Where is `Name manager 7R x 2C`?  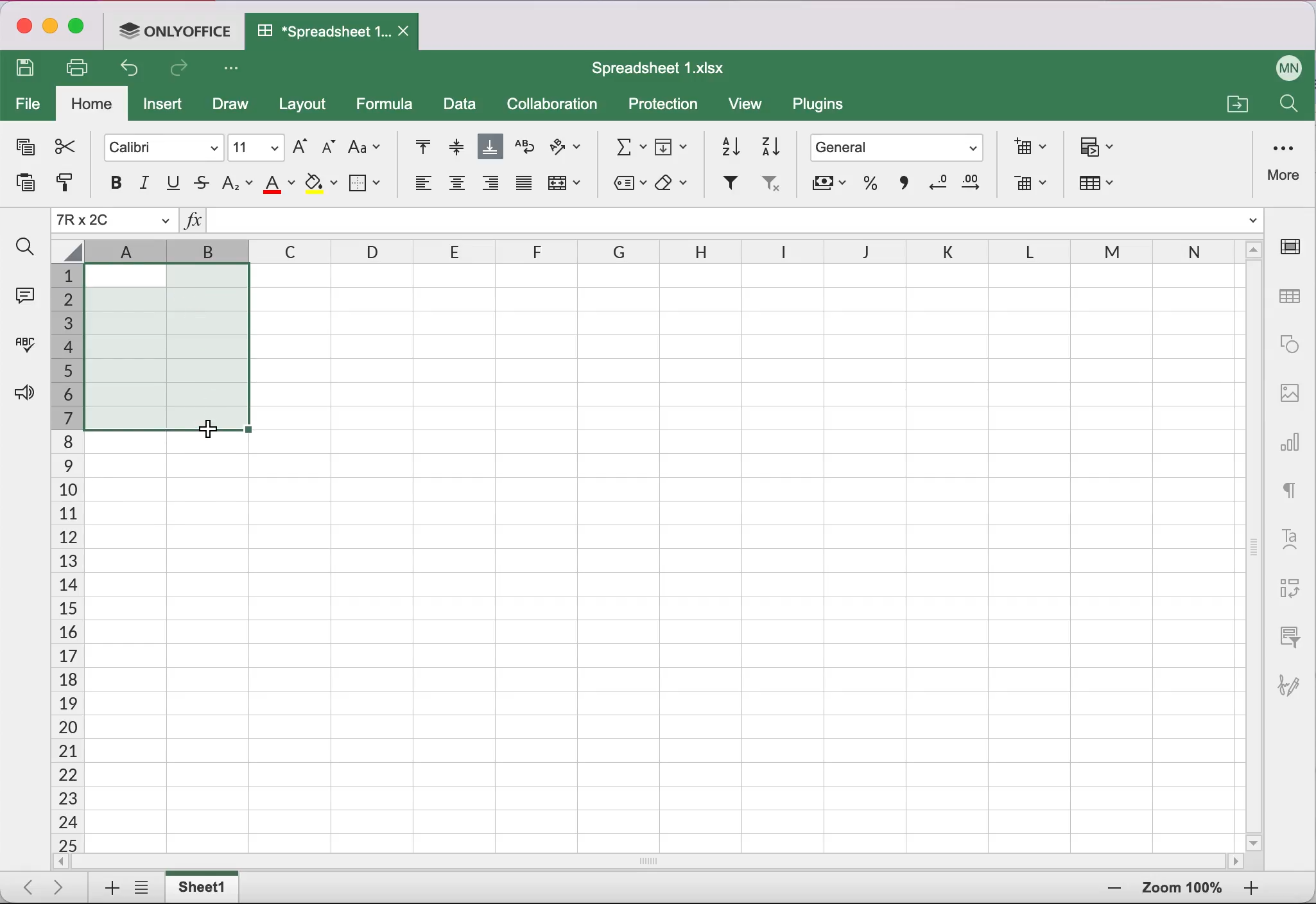
Name manager 7R x 2C is located at coordinates (114, 221).